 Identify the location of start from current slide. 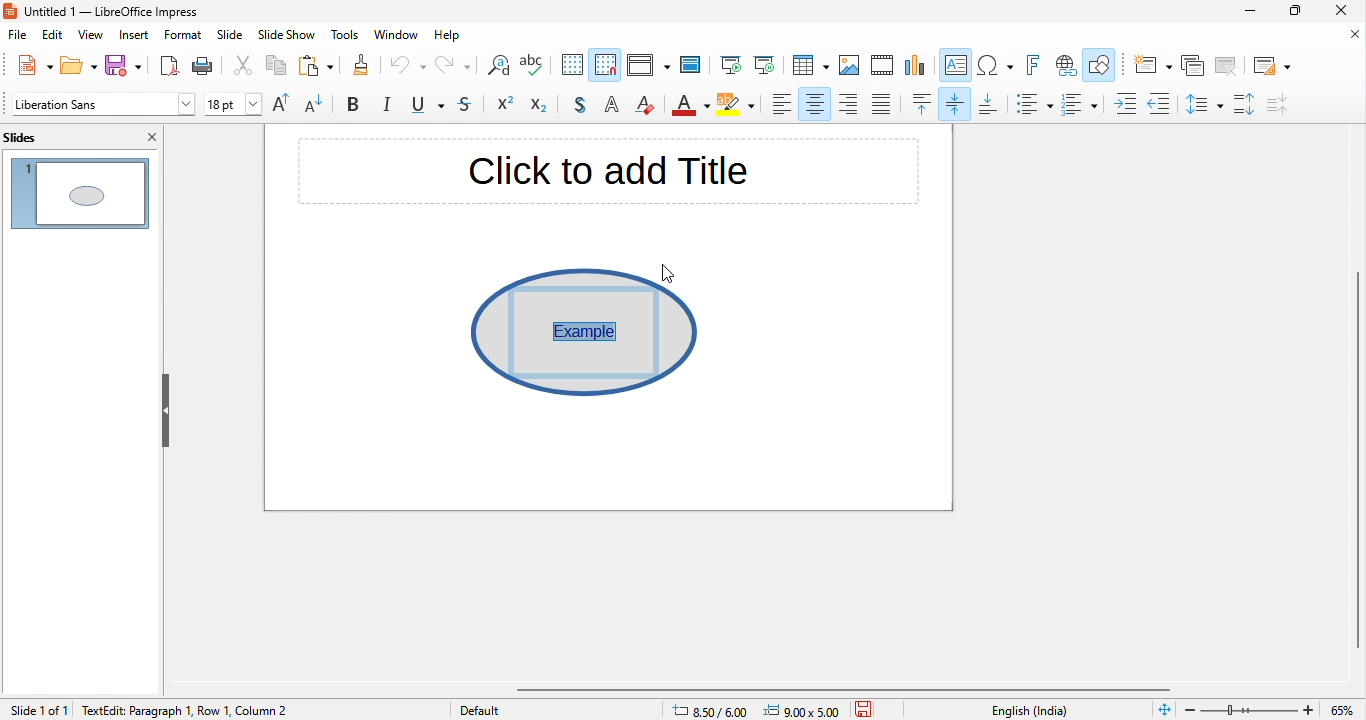
(764, 65).